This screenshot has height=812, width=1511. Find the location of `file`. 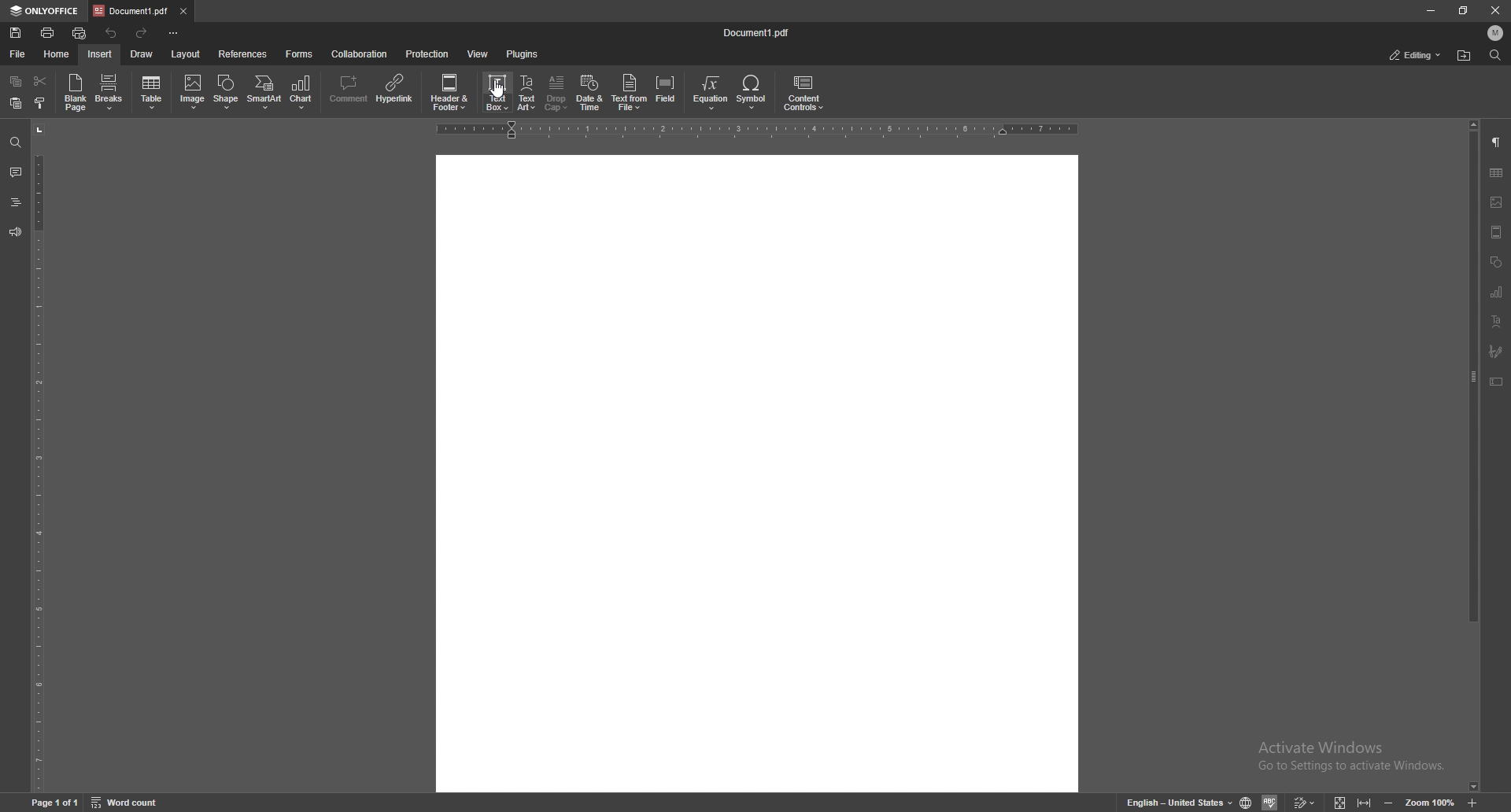

file is located at coordinates (17, 54).